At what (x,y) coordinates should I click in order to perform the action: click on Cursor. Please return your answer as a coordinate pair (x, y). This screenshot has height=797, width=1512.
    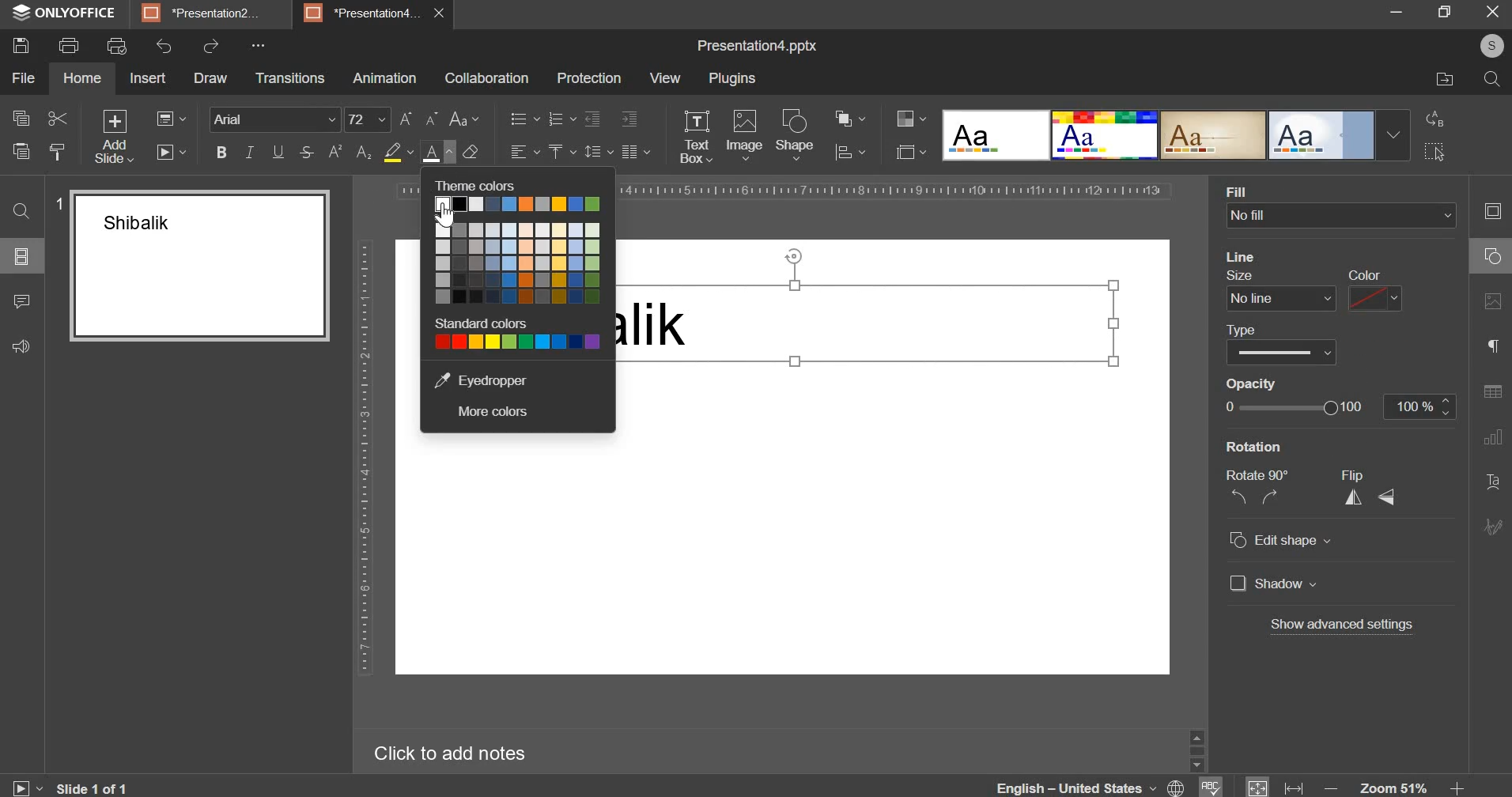
    Looking at the image, I should click on (448, 214).